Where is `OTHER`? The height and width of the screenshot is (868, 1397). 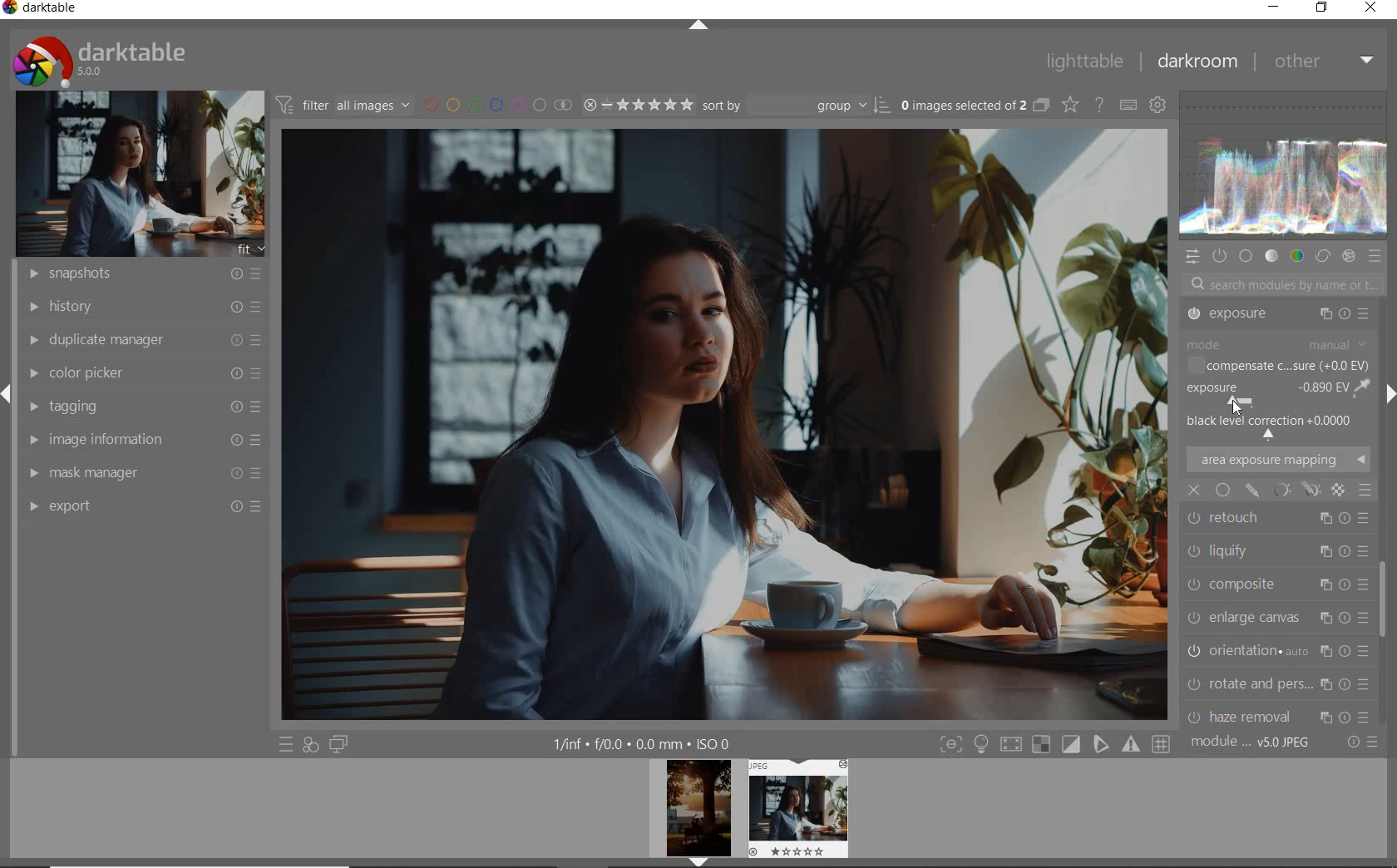 OTHER is located at coordinates (1325, 64).